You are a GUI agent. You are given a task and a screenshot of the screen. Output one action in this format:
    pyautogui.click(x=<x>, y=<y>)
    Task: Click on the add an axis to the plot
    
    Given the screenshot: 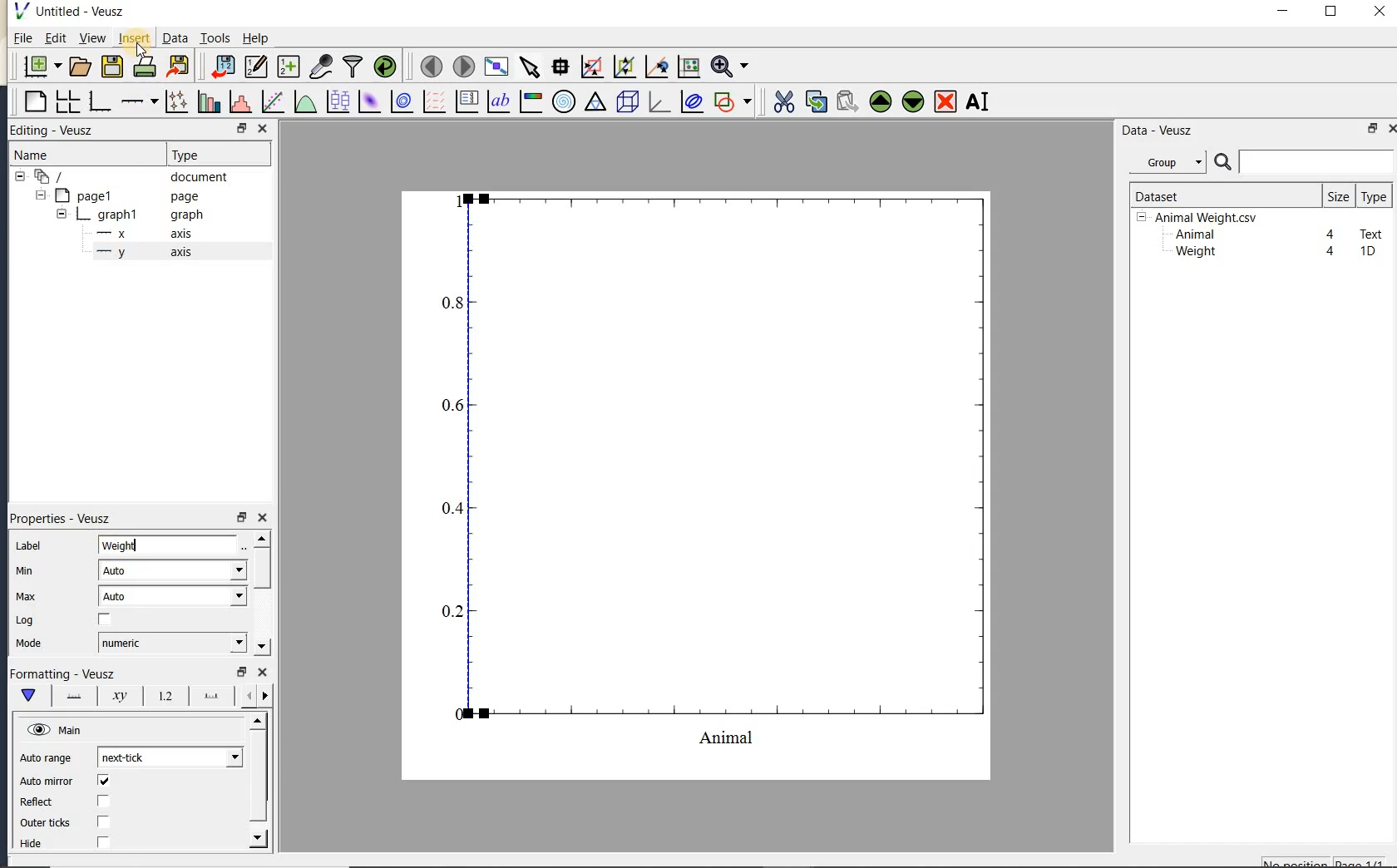 What is the action you would take?
    pyautogui.click(x=139, y=101)
    